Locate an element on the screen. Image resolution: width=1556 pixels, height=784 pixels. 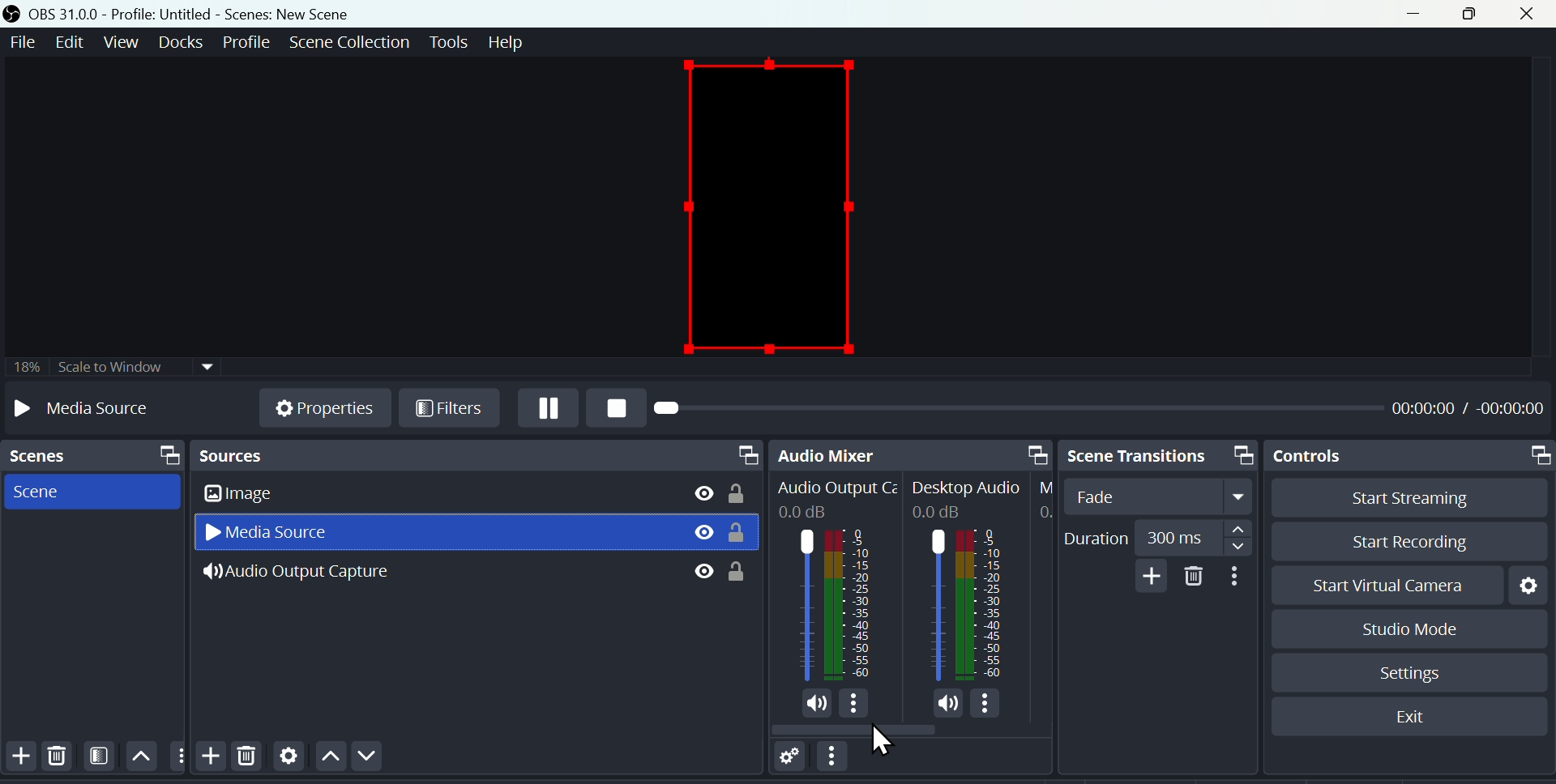
Scene collection is located at coordinates (348, 40).